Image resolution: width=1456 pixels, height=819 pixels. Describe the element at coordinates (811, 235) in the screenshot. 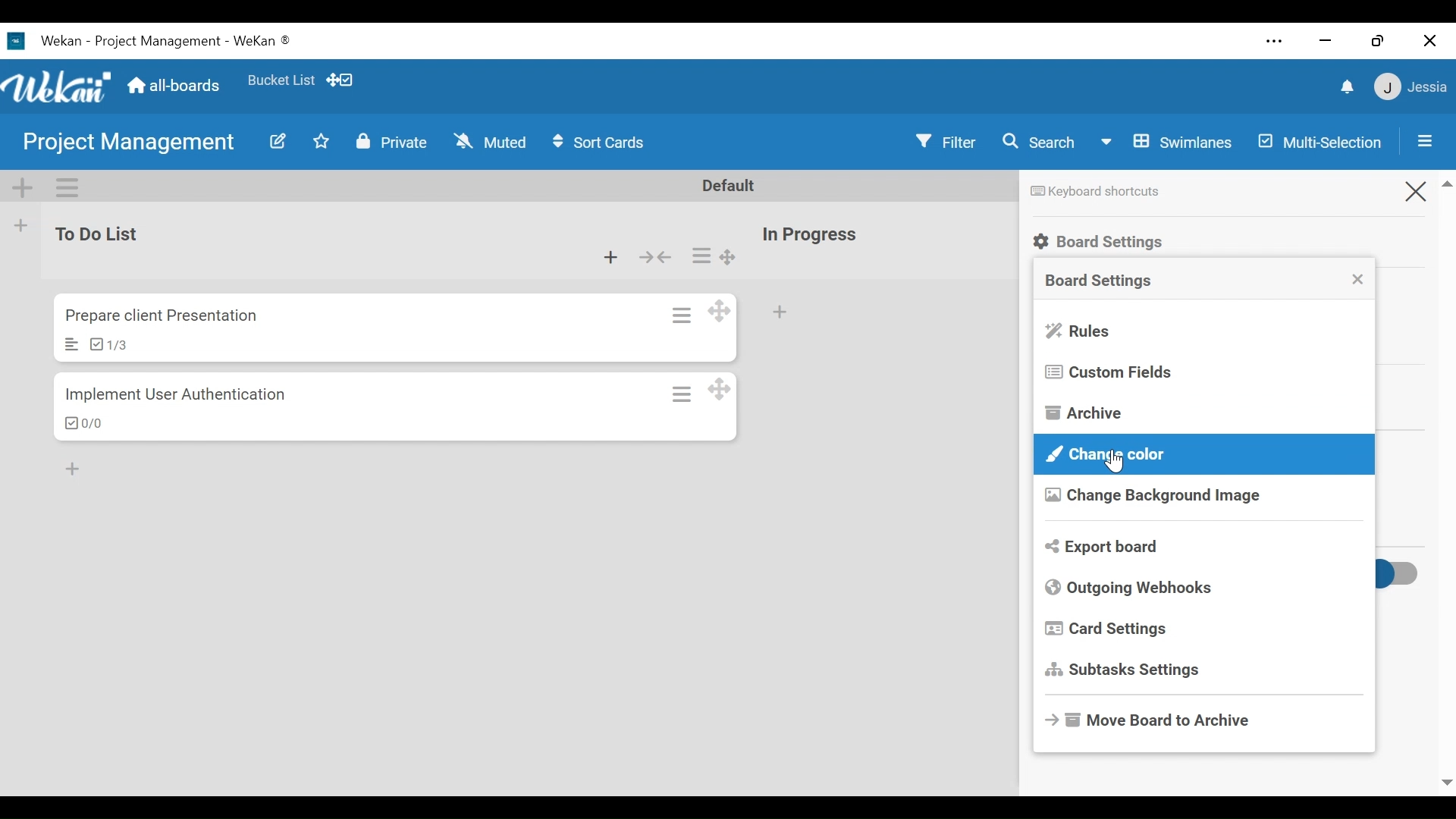

I see `List Name` at that location.